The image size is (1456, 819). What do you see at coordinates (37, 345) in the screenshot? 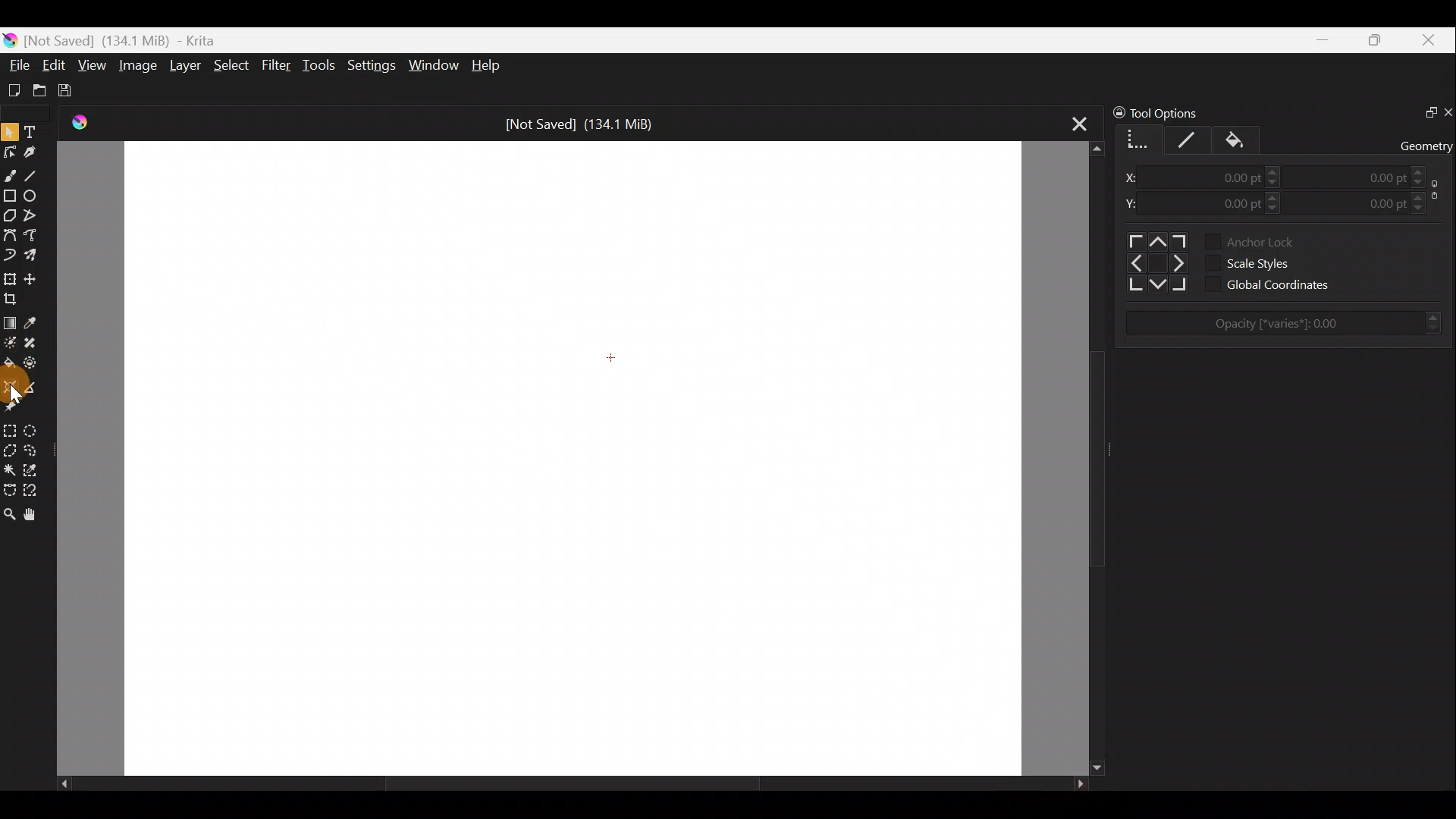
I see `Smart patch tool` at bounding box center [37, 345].